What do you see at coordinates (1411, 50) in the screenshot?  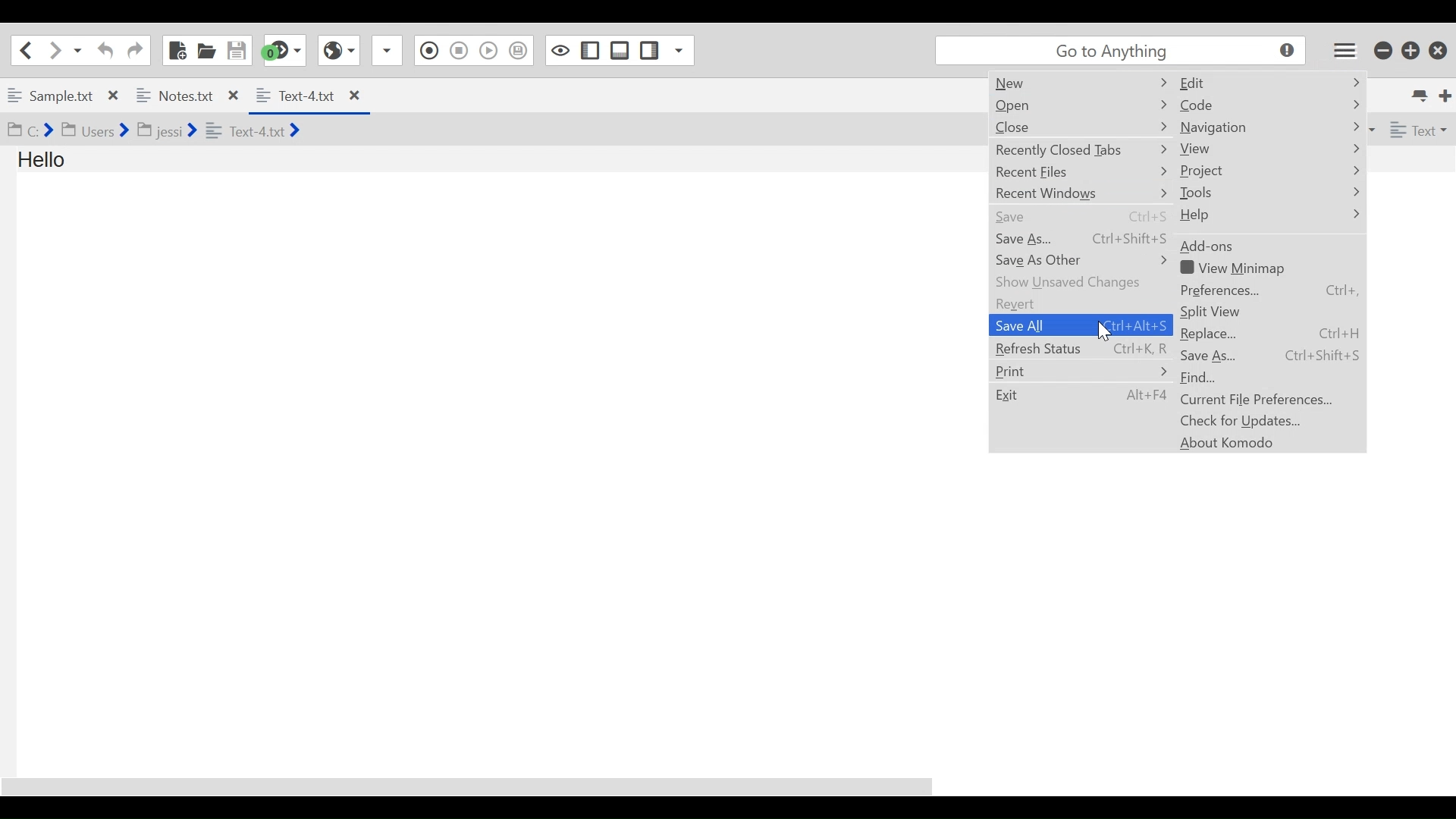 I see `Restore` at bounding box center [1411, 50].